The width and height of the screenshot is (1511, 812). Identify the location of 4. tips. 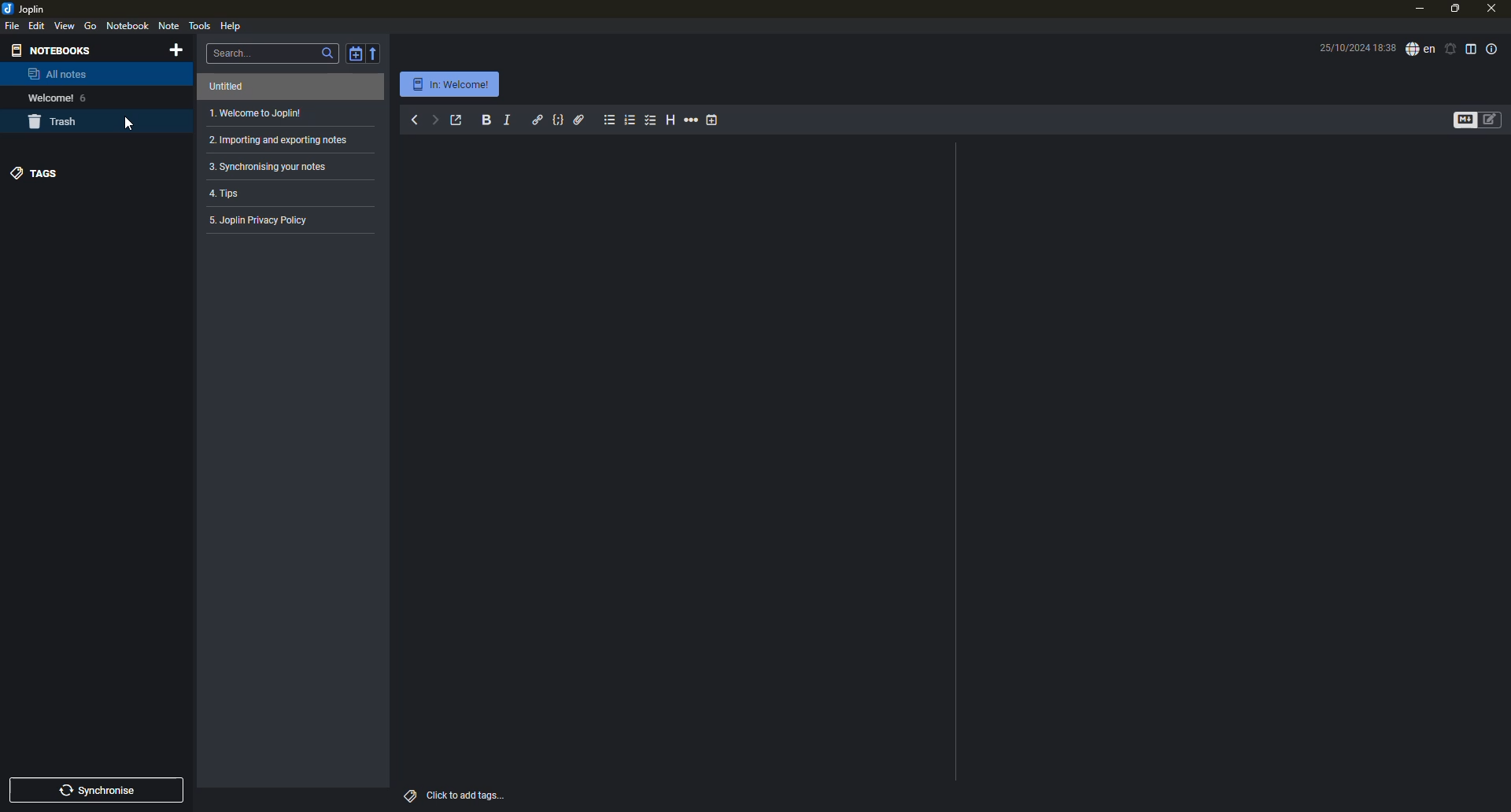
(230, 194).